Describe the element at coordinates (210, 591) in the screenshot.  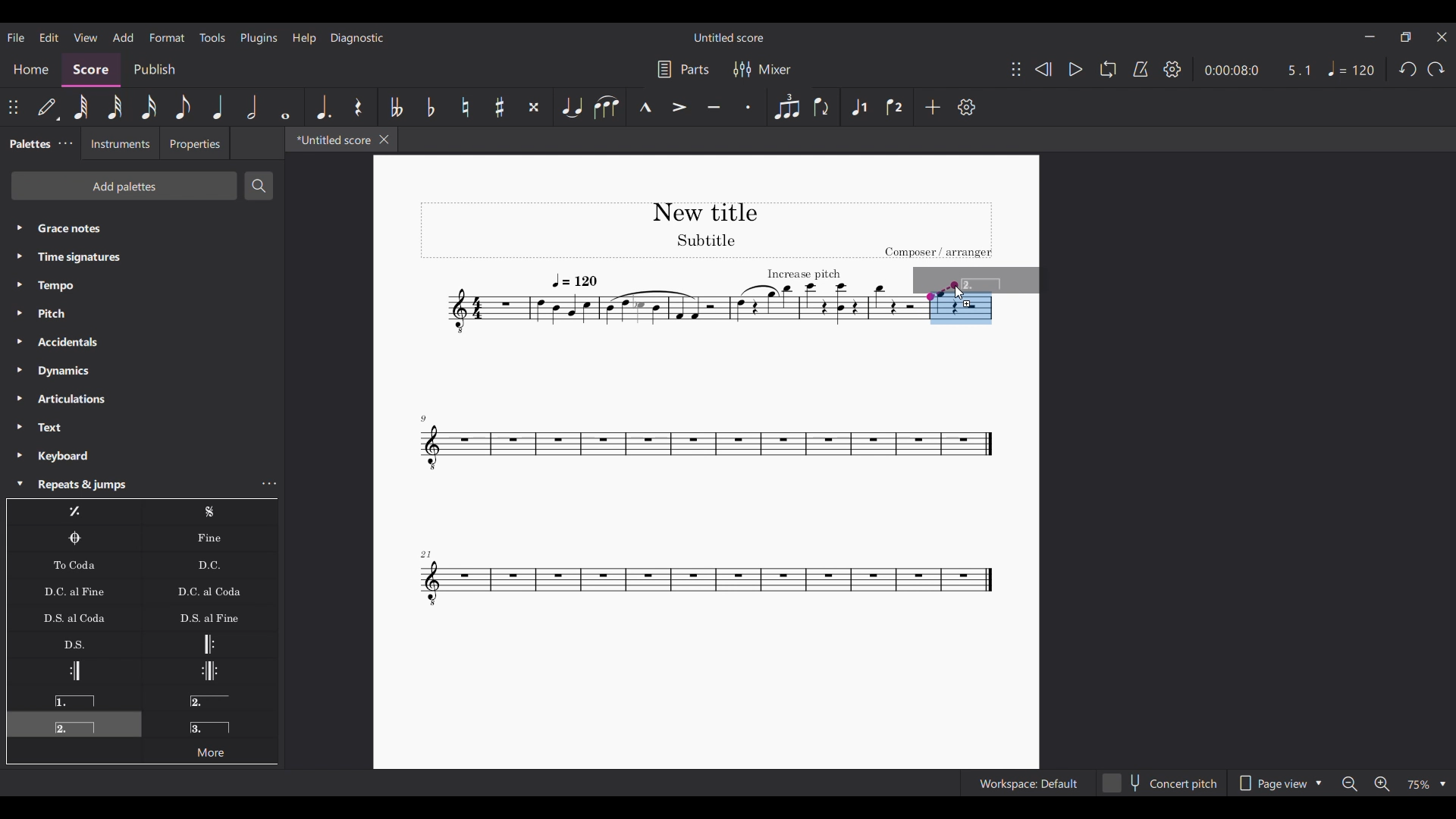
I see `D.C. al Coda` at that location.